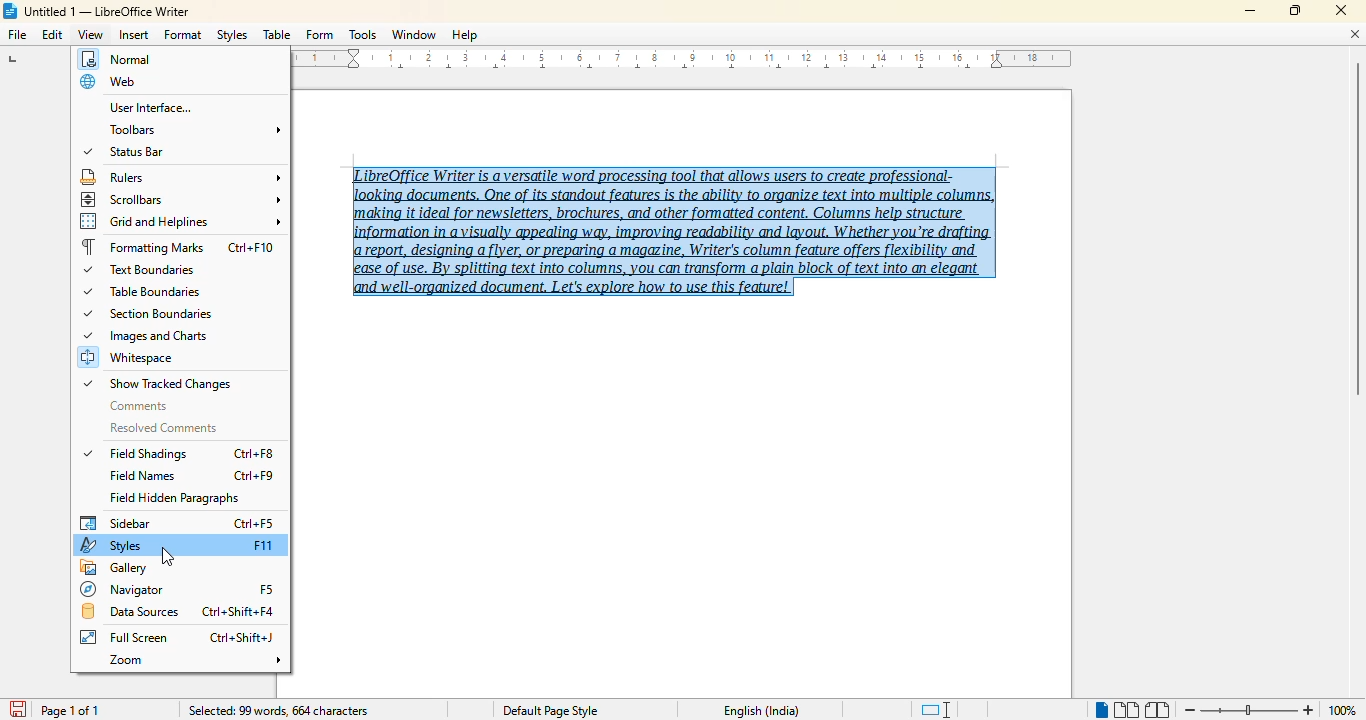 The height and width of the screenshot is (720, 1366). What do you see at coordinates (176, 611) in the screenshot?
I see `data sources` at bounding box center [176, 611].